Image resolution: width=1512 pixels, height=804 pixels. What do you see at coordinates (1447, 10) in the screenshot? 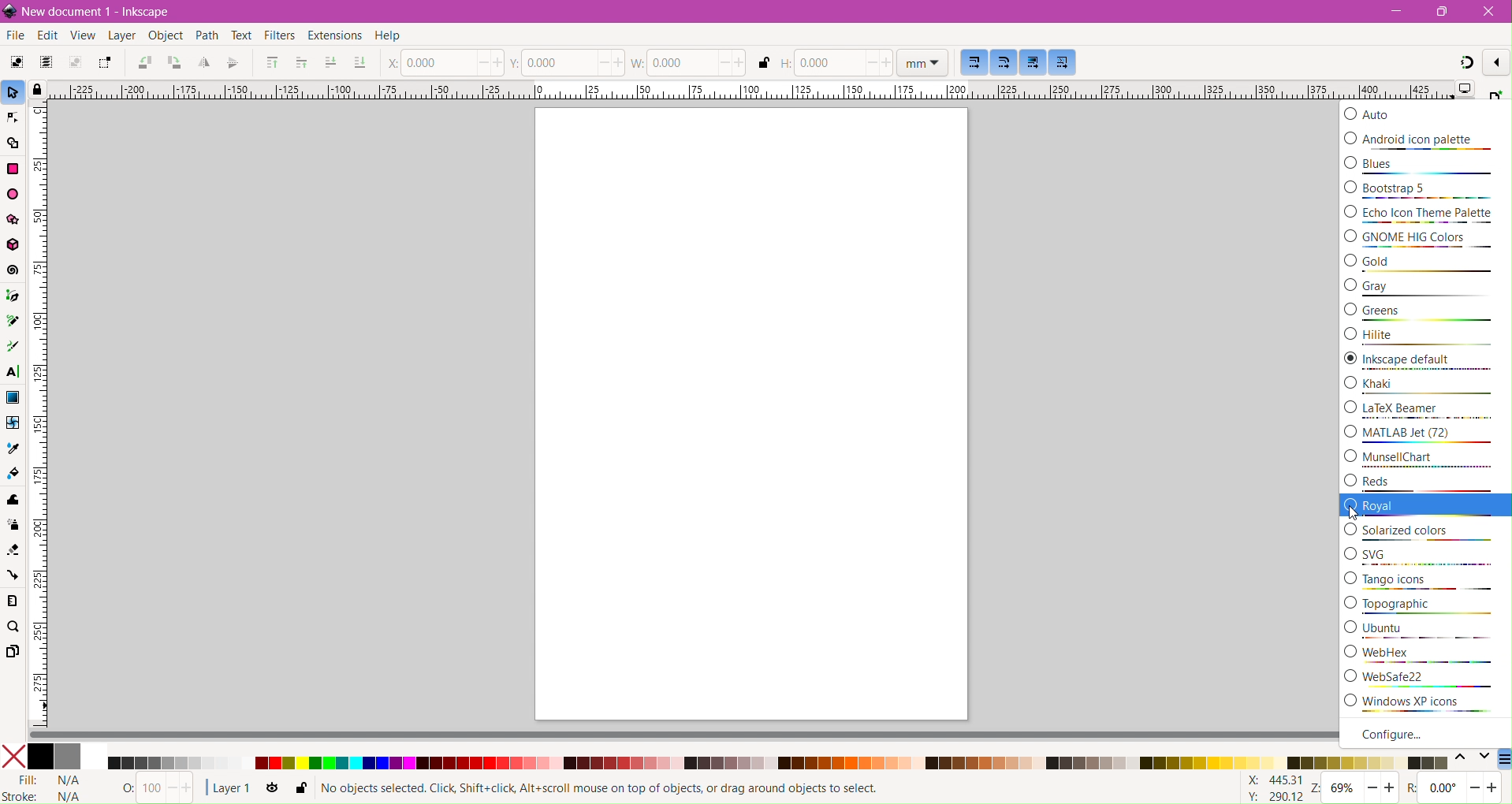
I see `Restore Down` at bounding box center [1447, 10].